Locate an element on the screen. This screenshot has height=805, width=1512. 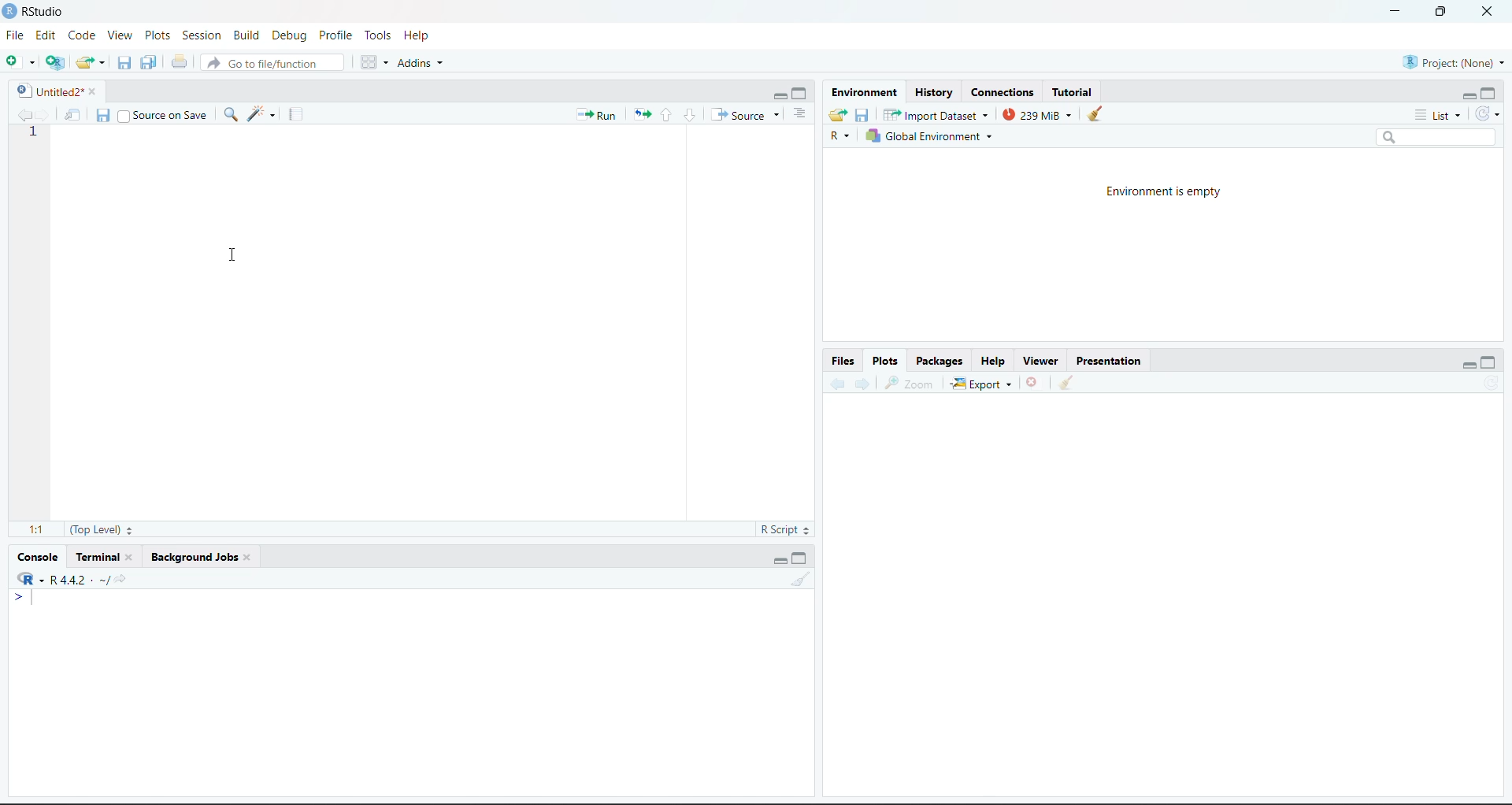
Packages is located at coordinates (941, 361).